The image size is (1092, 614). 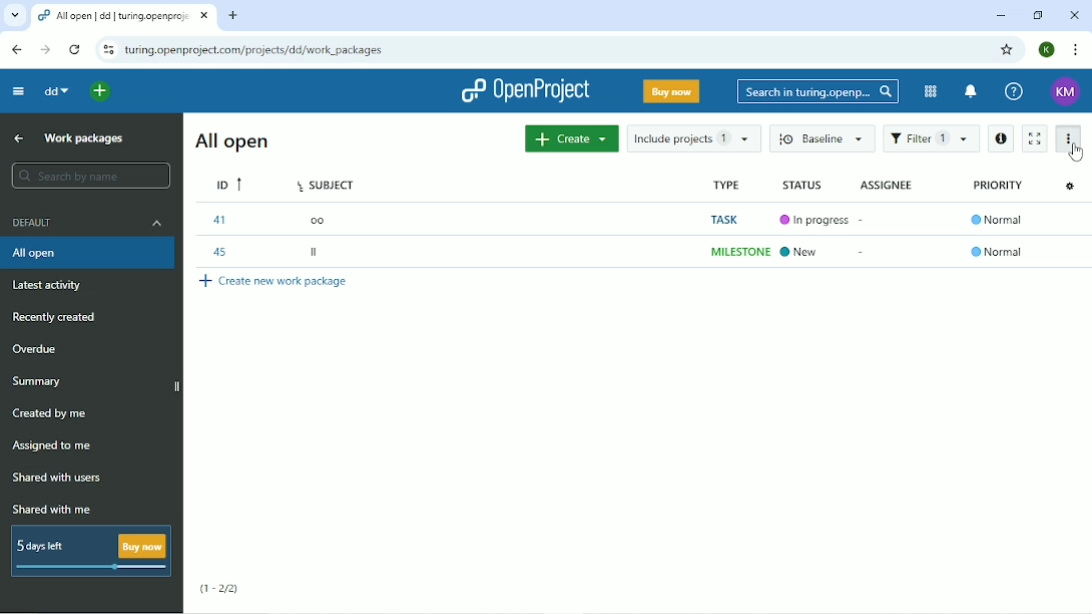 I want to click on All open dd Turing.oopenproject, so click(x=122, y=15).